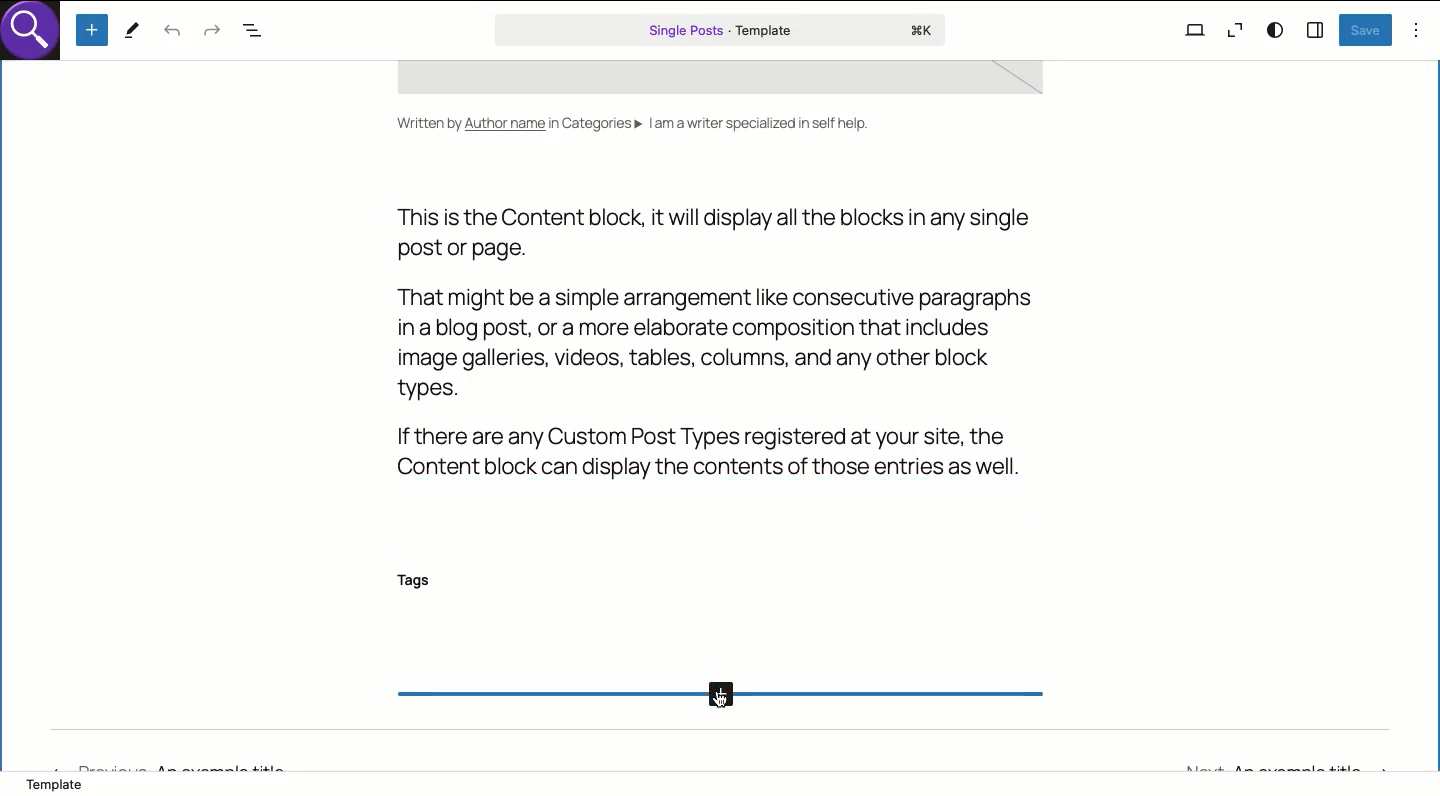  I want to click on Single posts template, so click(722, 30).